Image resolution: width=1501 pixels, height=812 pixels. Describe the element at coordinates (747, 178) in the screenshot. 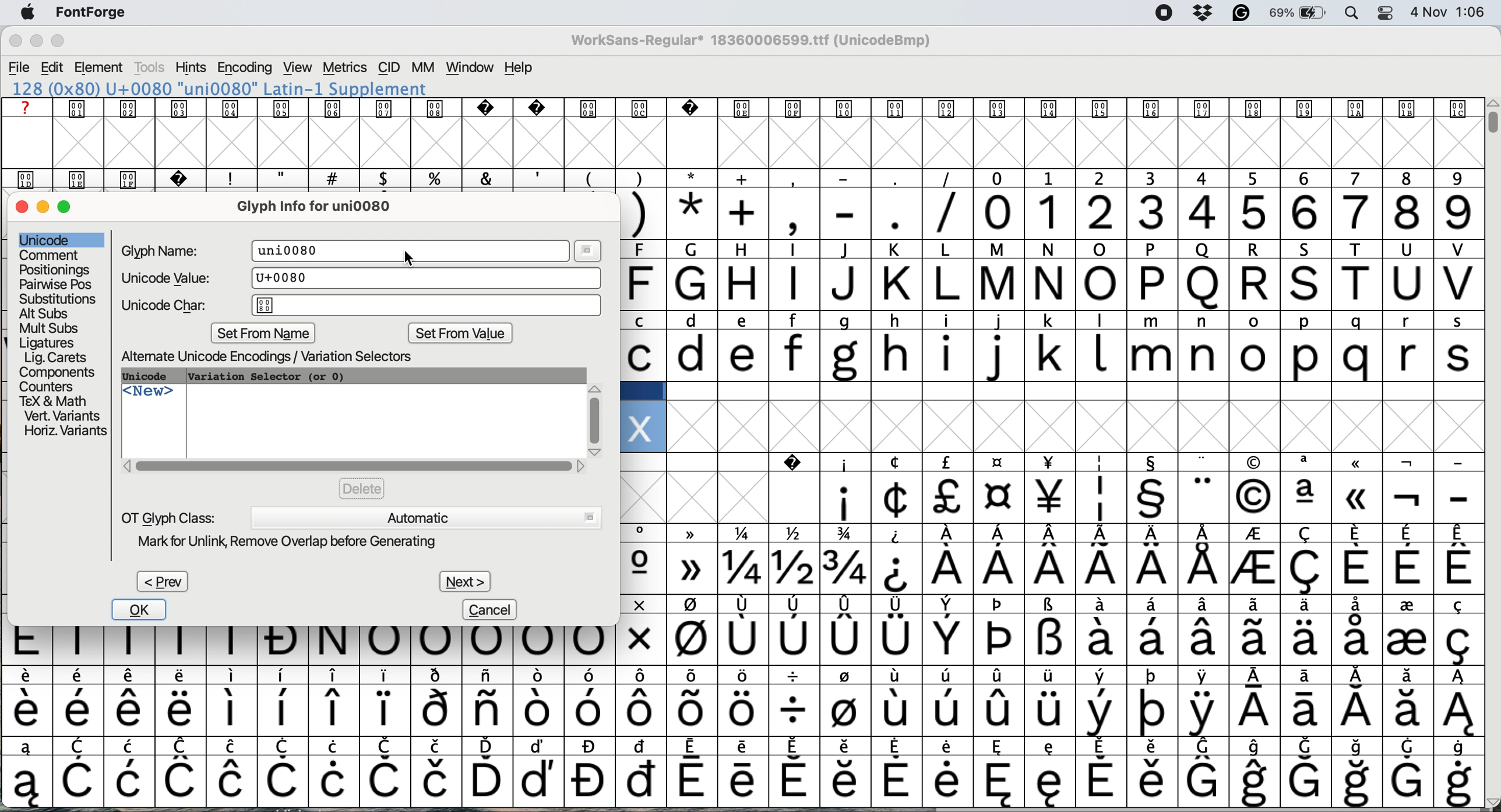

I see `special characters and text` at that location.